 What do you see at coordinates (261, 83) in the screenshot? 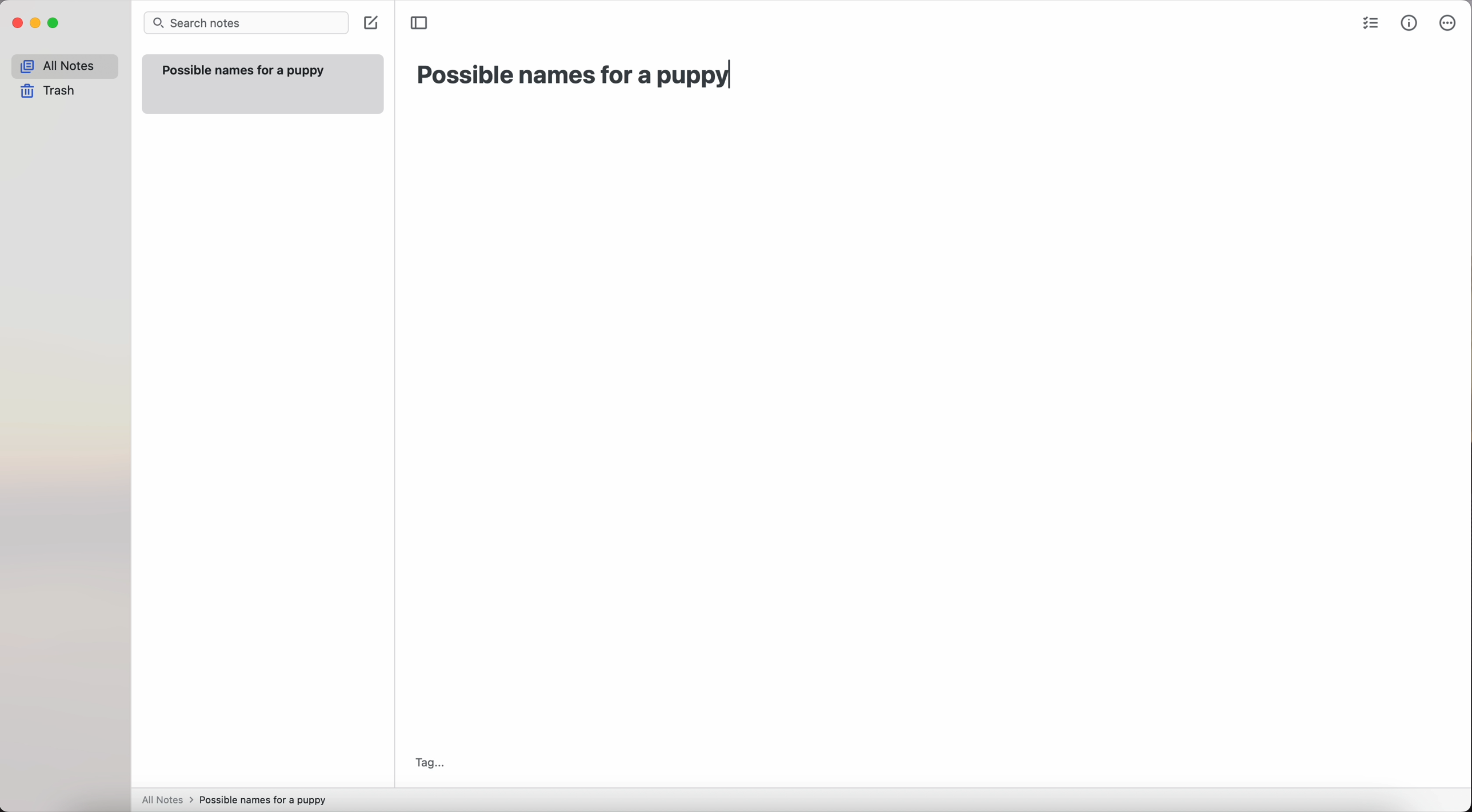
I see `possible names for a puppy note` at bounding box center [261, 83].